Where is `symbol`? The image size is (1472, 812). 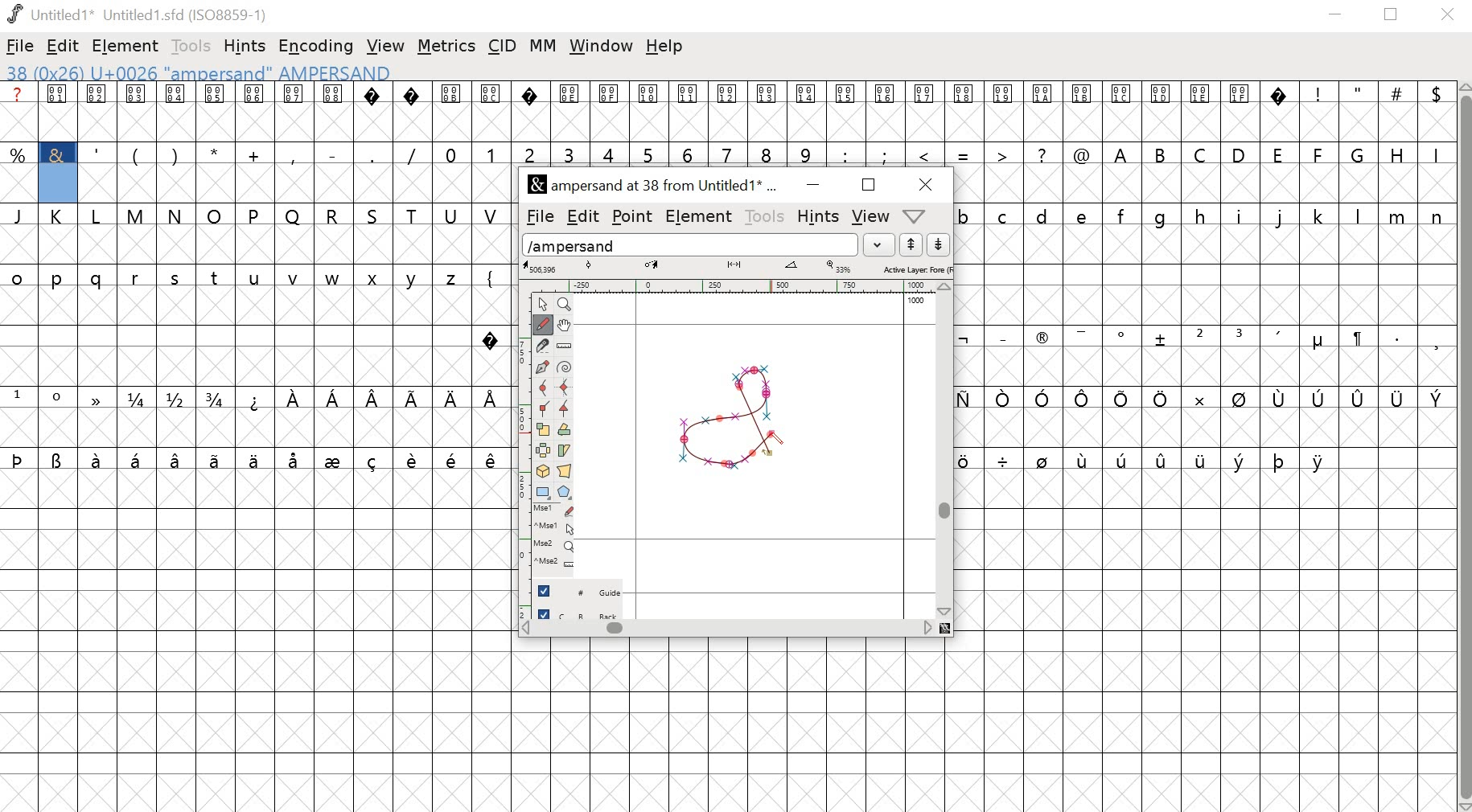
symbol is located at coordinates (1123, 458).